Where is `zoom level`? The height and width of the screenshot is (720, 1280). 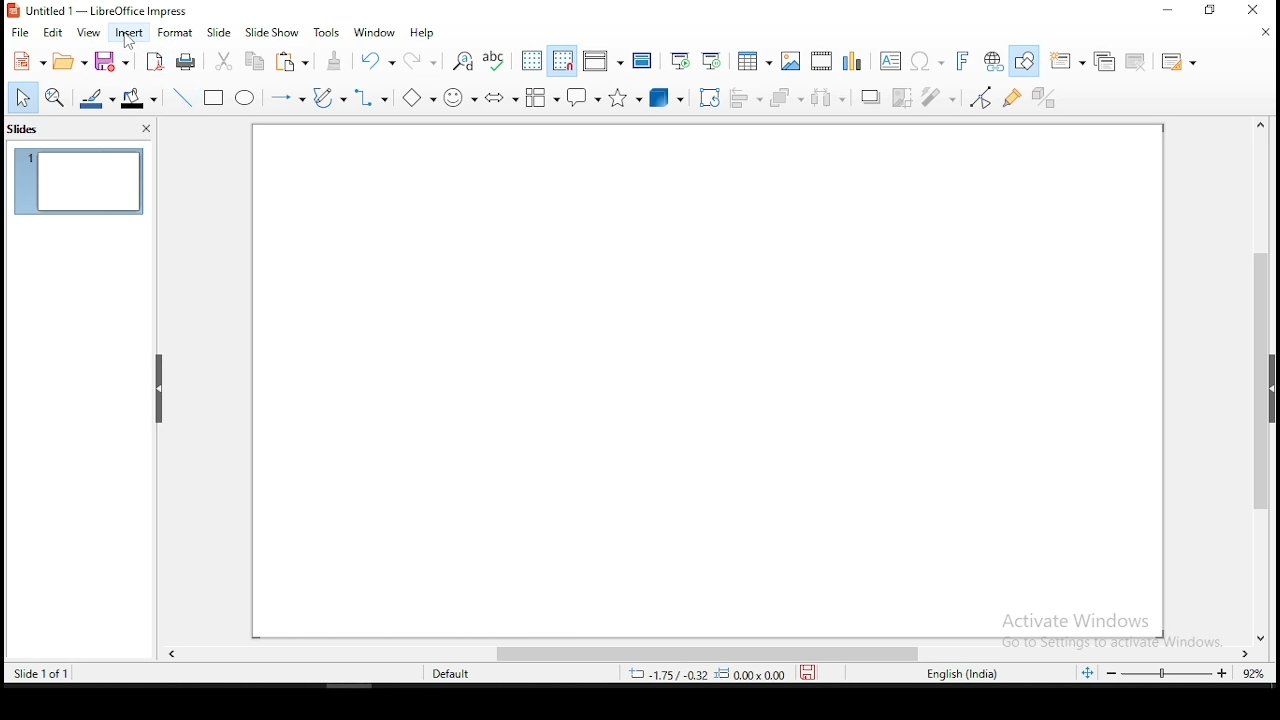
zoom level is located at coordinates (1166, 675).